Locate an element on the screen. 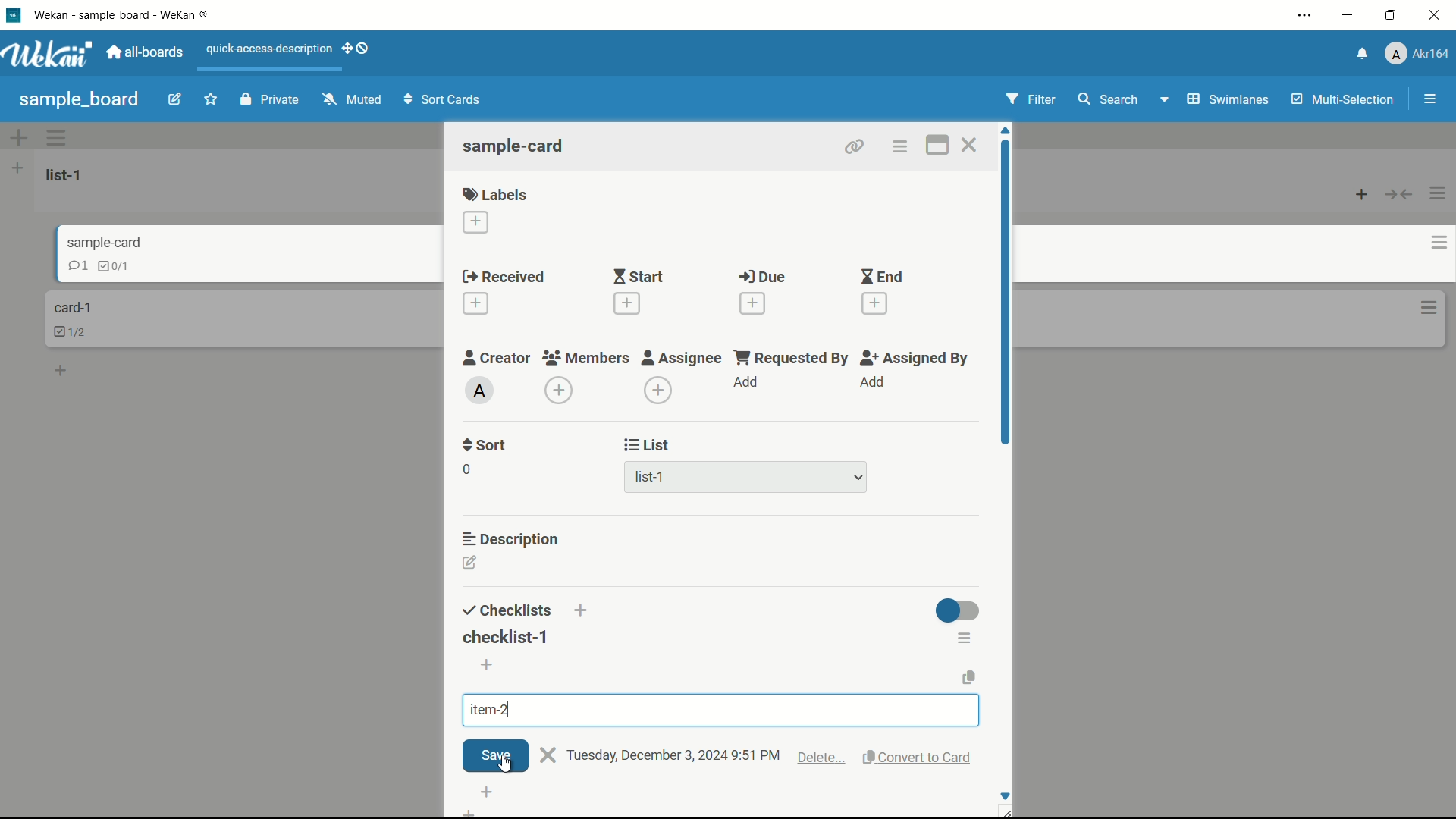  add label is located at coordinates (476, 222).